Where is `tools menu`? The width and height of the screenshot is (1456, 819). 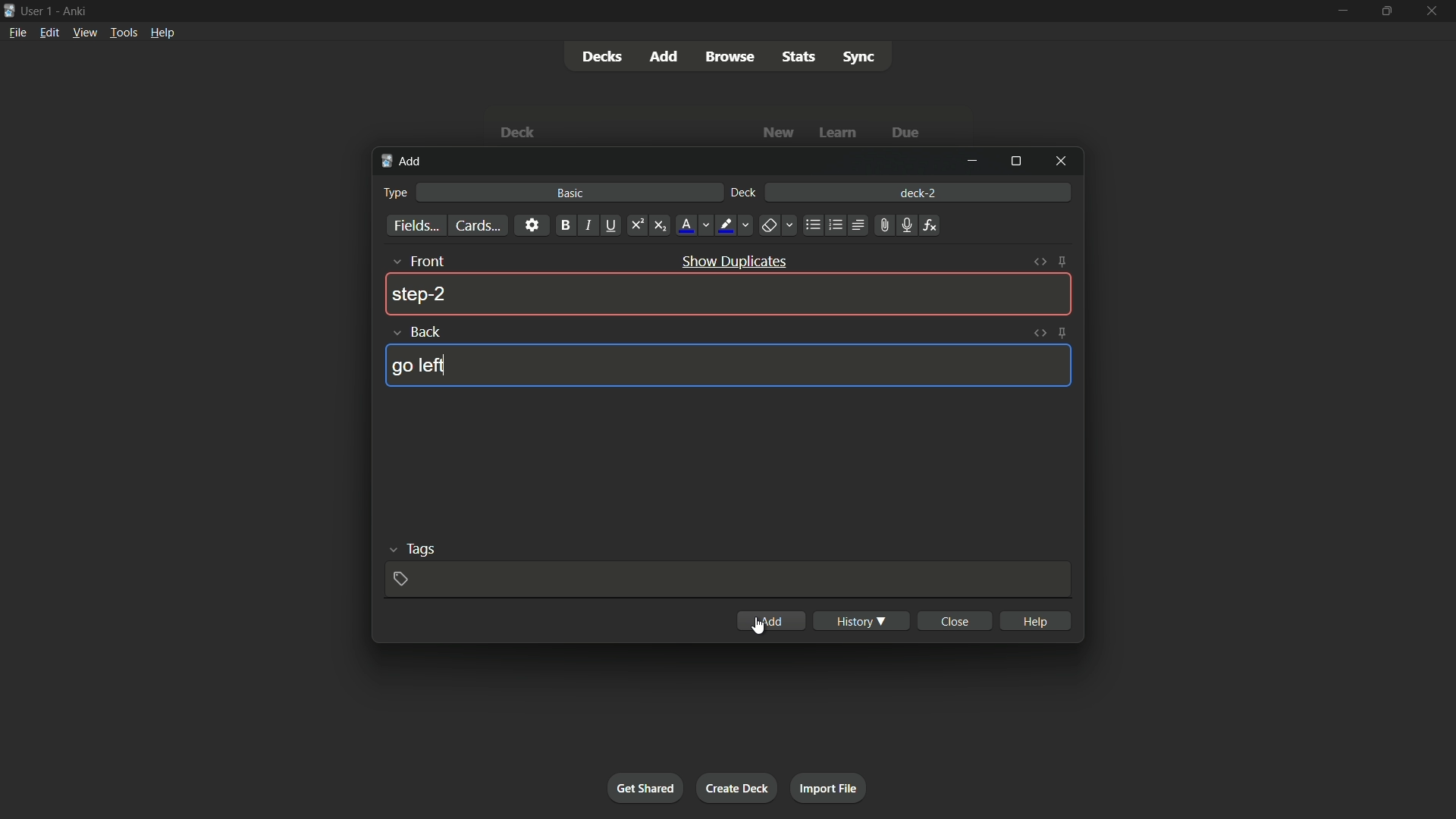 tools menu is located at coordinates (124, 33).